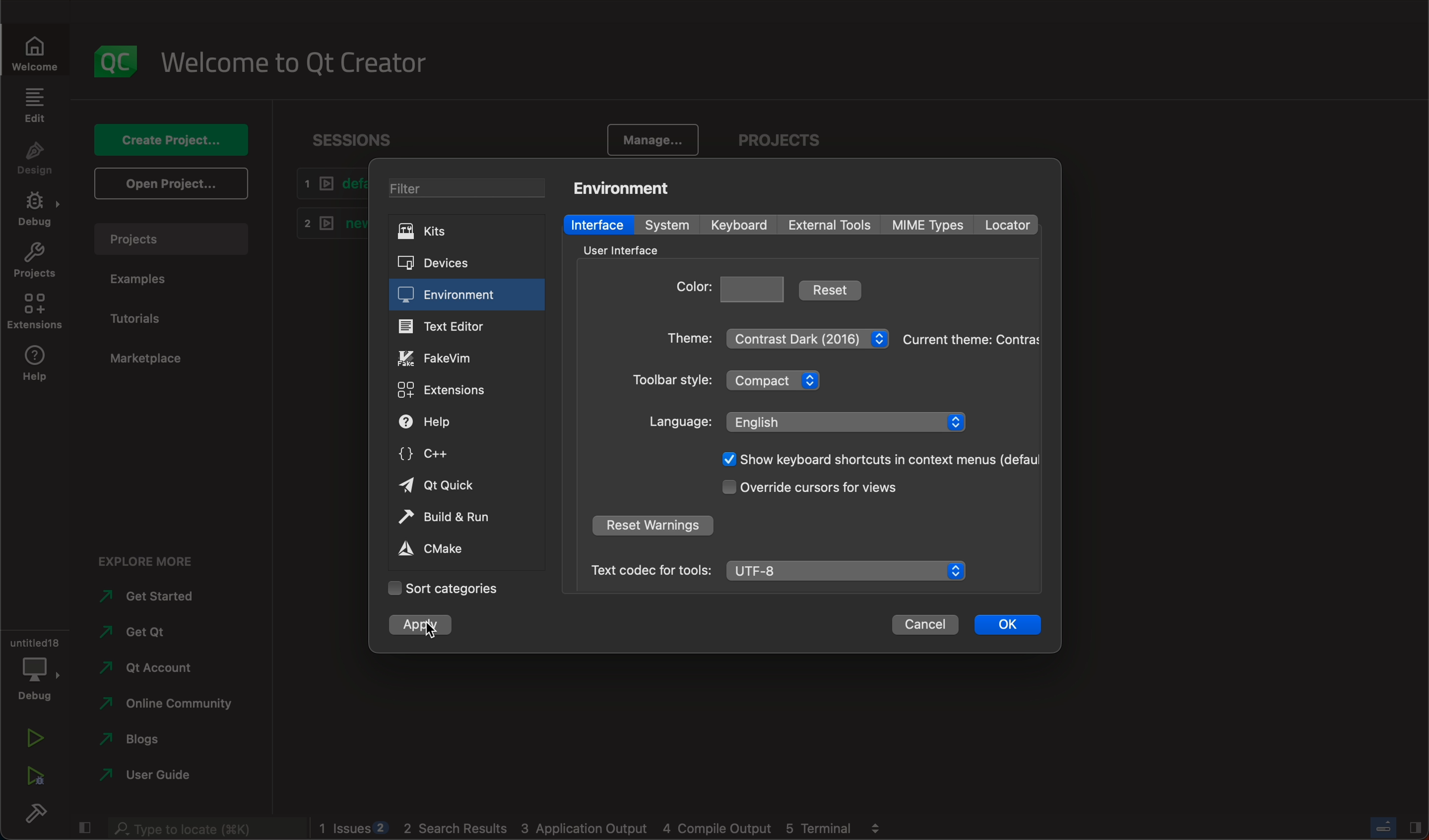 The height and width of the screenshot is (840, 1429). Describe the element at coordinates (453, 423) in the screenshot. I see `help` at that location.